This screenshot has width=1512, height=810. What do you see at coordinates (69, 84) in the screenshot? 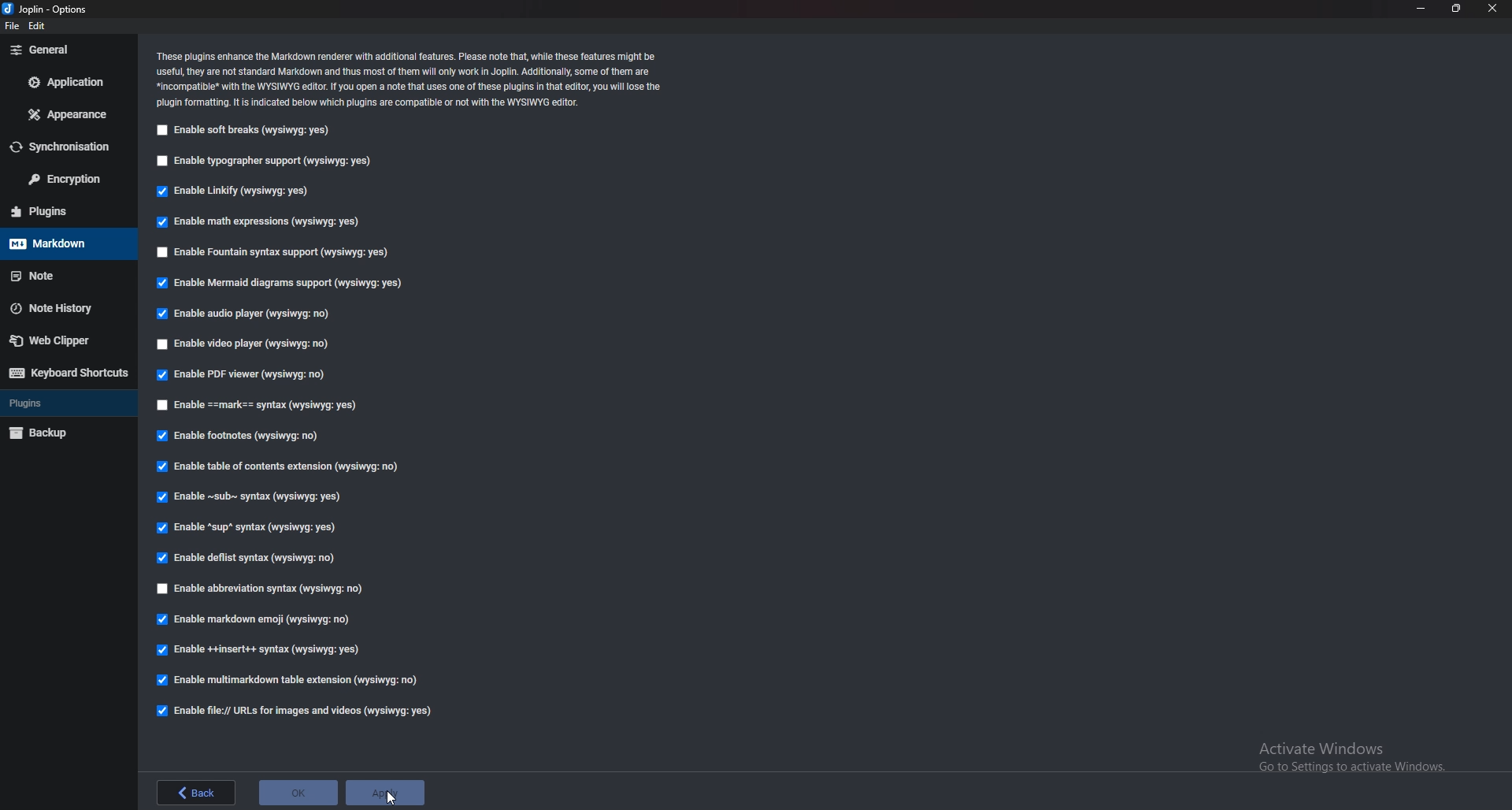
I see `Application` at bounding box center [69, 84].